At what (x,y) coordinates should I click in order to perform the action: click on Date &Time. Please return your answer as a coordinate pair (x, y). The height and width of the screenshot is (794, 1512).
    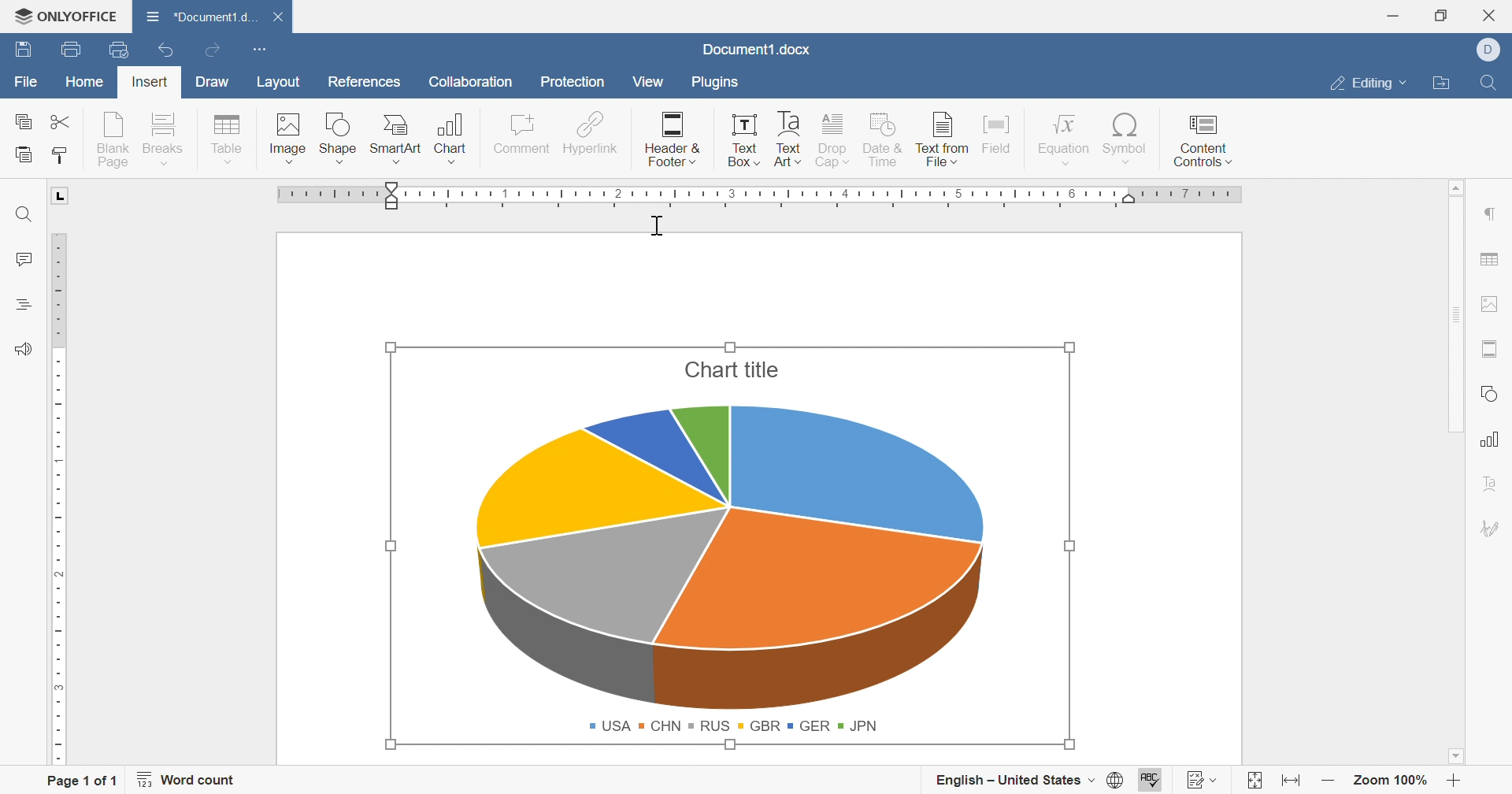
    Looking at the image, I should click on (883, 139).